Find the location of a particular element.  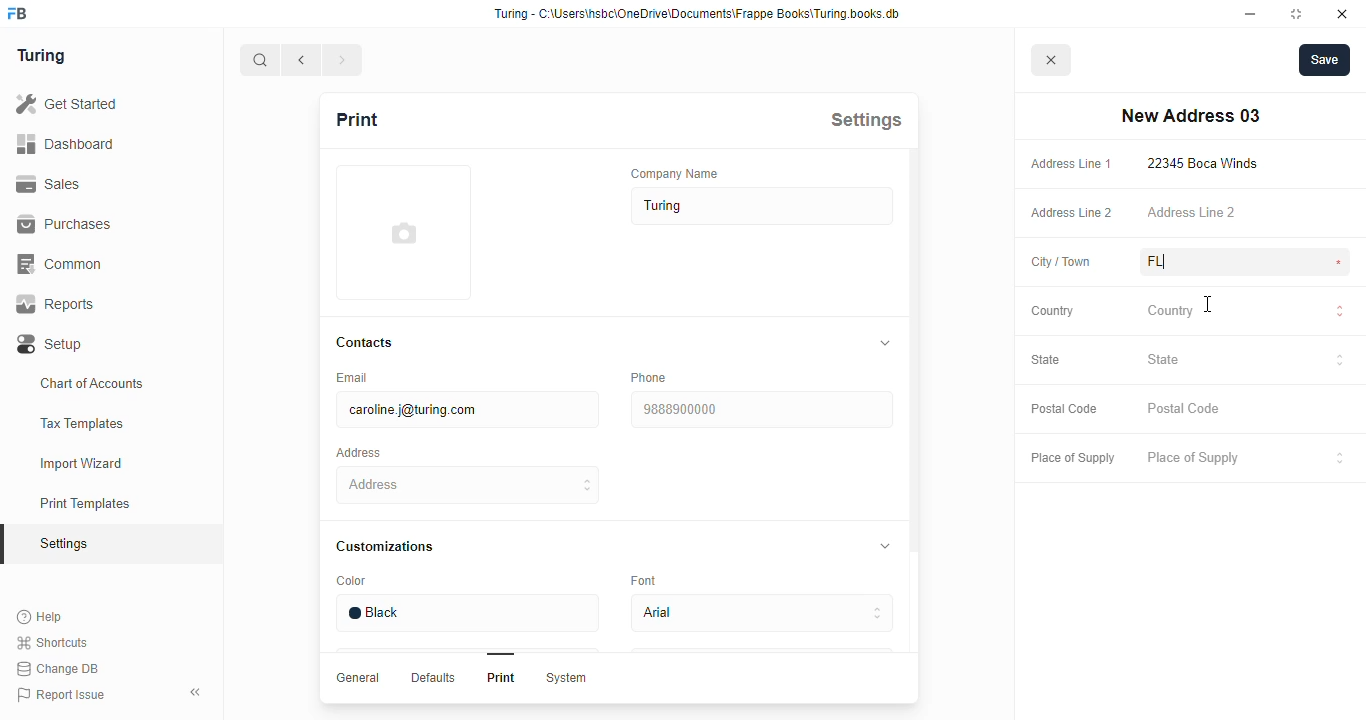

cursor is located at coordinates (1207, 302).